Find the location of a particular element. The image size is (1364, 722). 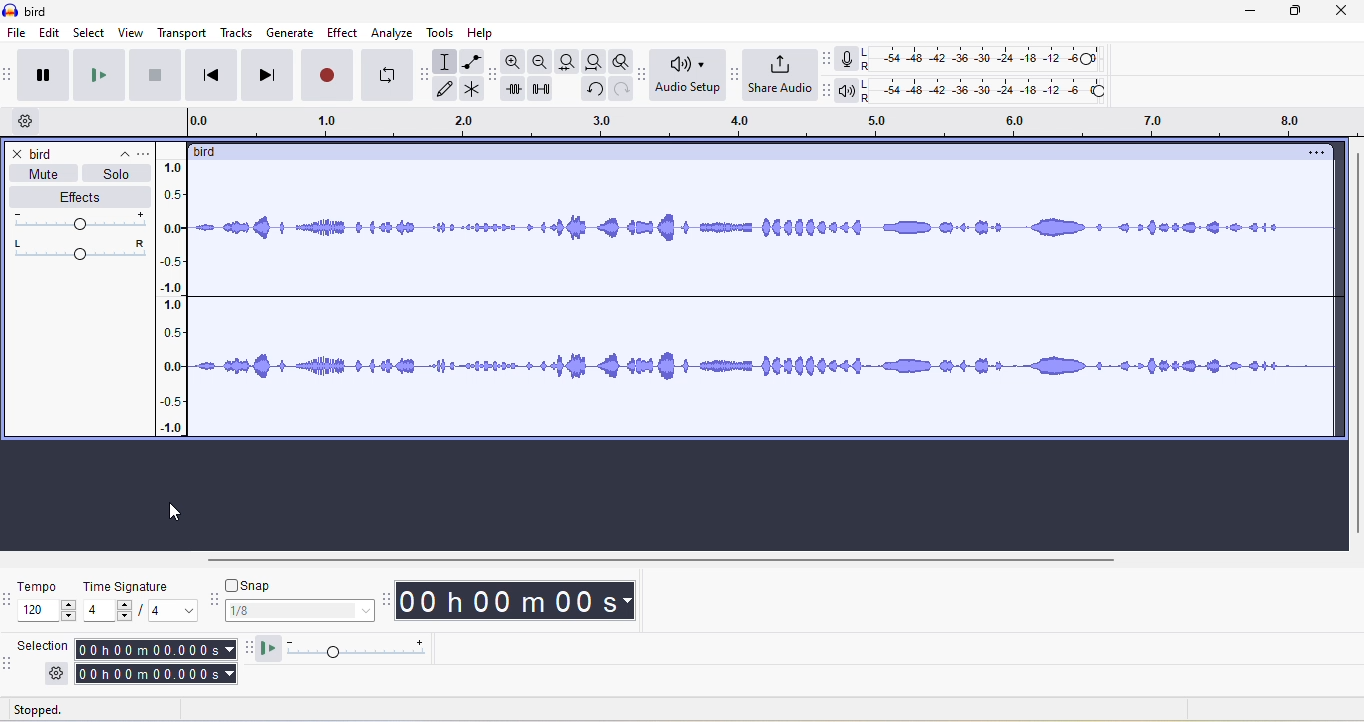

audacity selection toolbar is located at coordinates (9, 662).